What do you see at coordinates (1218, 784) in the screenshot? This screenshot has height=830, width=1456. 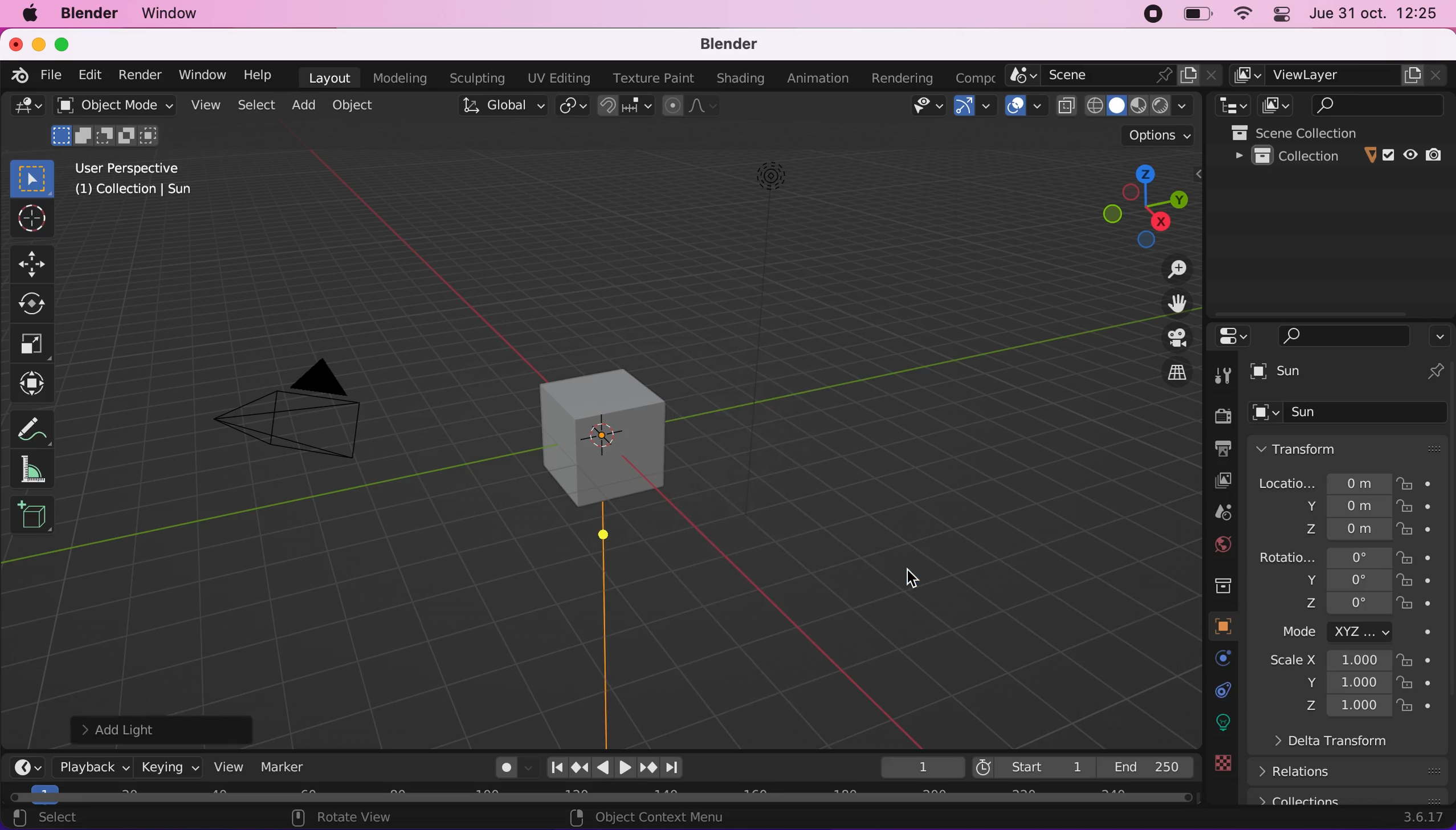 I see `data` at bounding box center [1218, 784].